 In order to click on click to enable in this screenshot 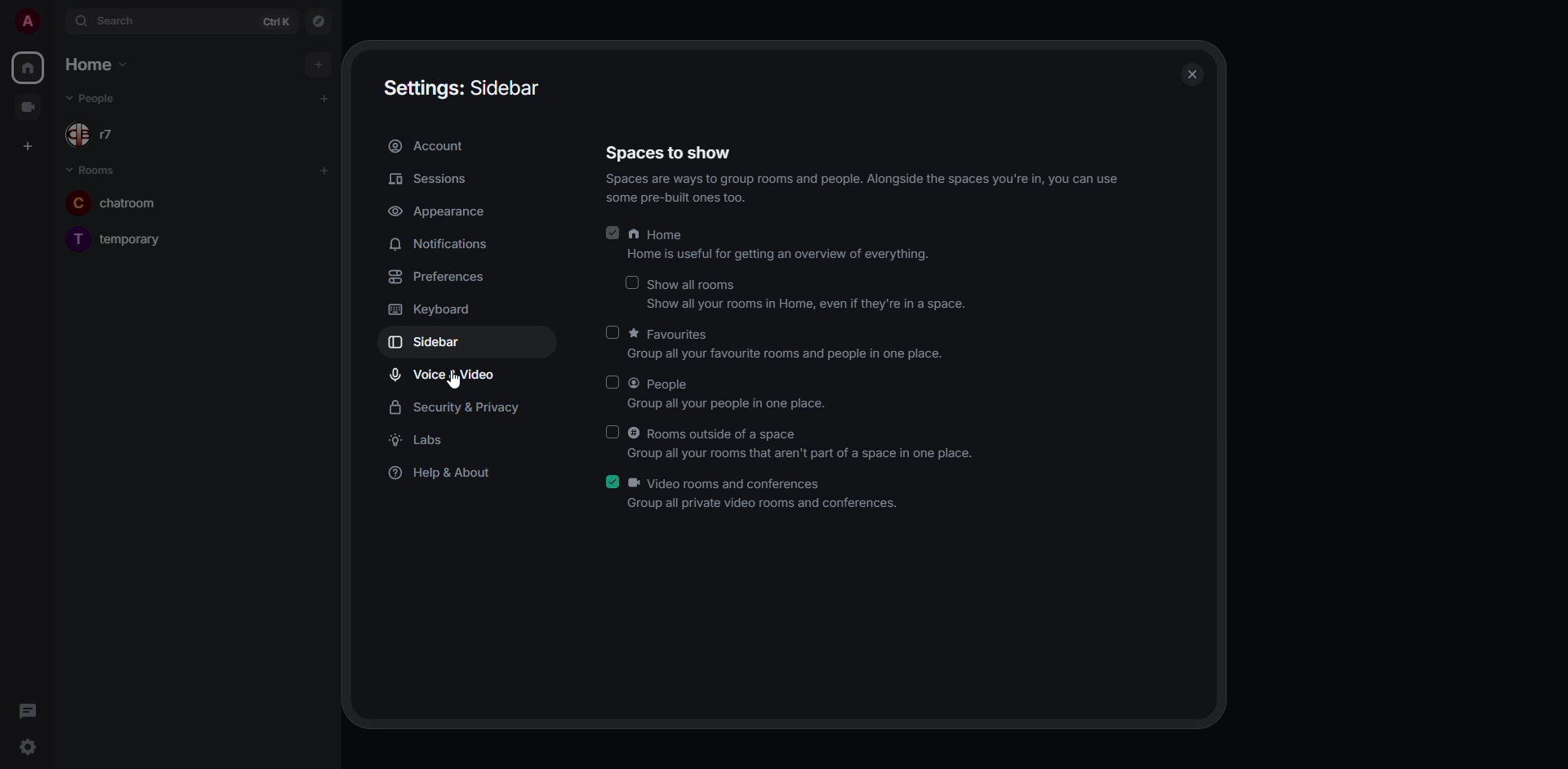, I will do `click(609, 332)`.